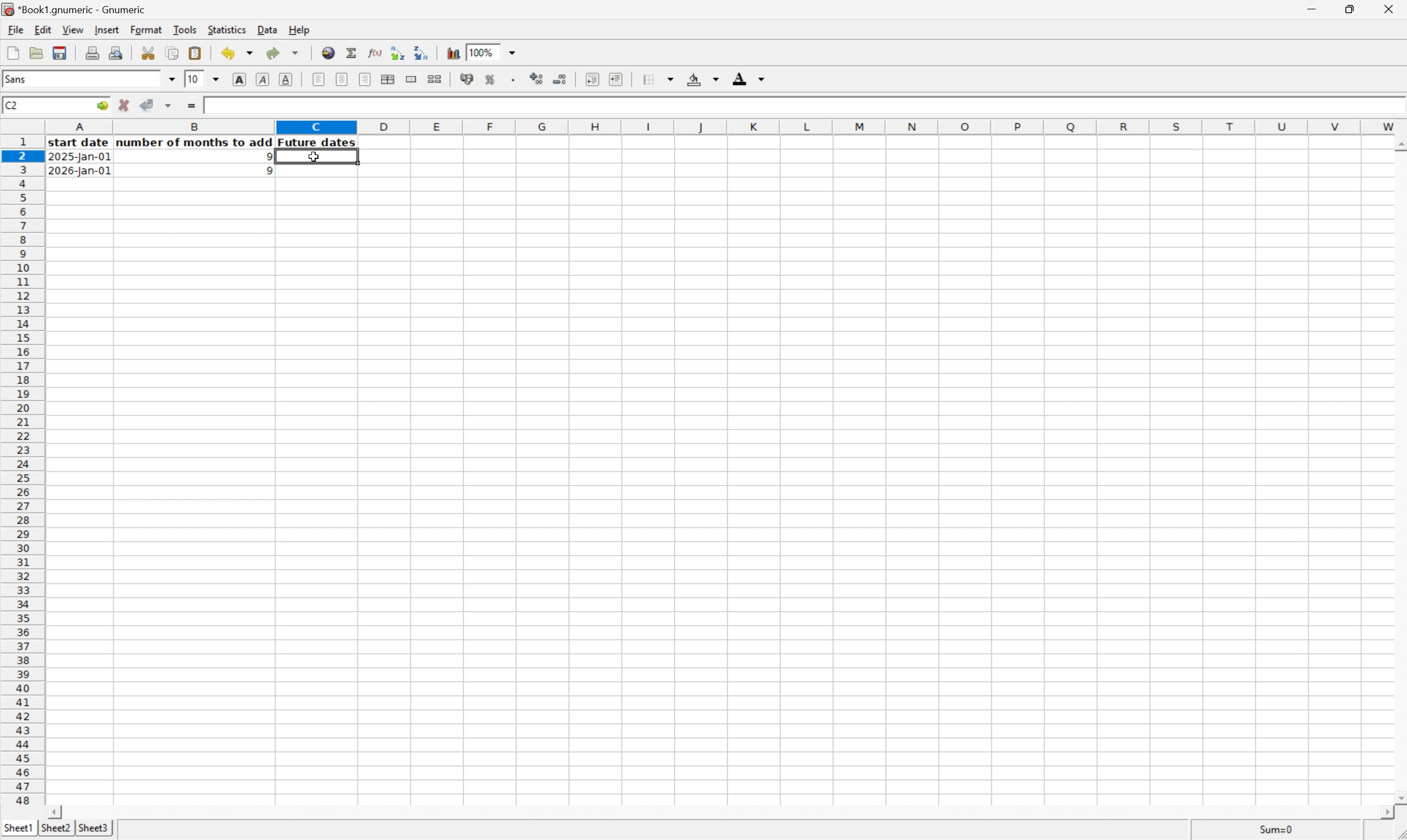 This screenshot has width=1407, height=840. What do you see at coordinates (72, 29) in the screenshot?
I see `View` at bounding box center [72, 29].